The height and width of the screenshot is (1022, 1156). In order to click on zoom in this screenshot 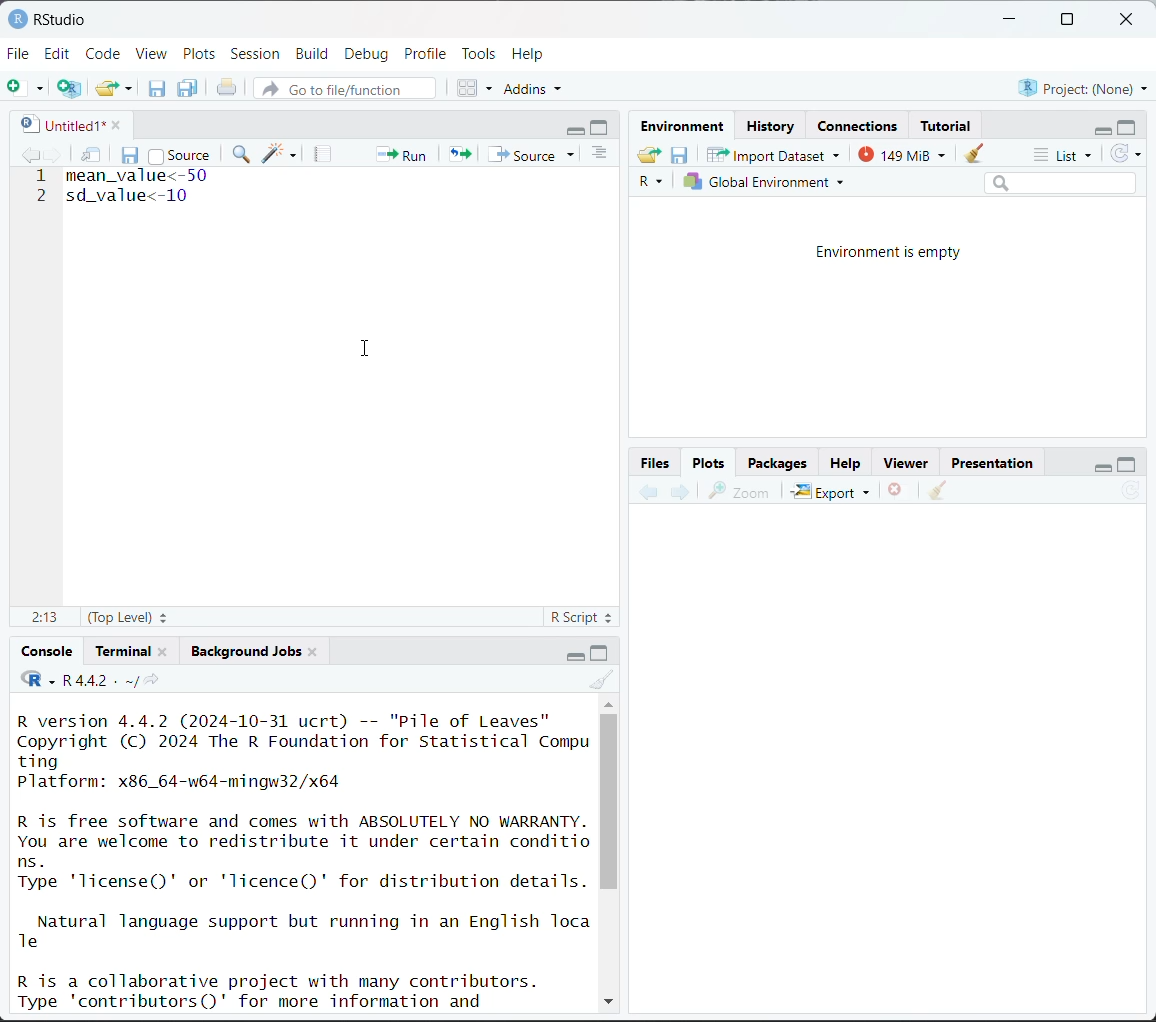, I will do `click(739, 491)`.